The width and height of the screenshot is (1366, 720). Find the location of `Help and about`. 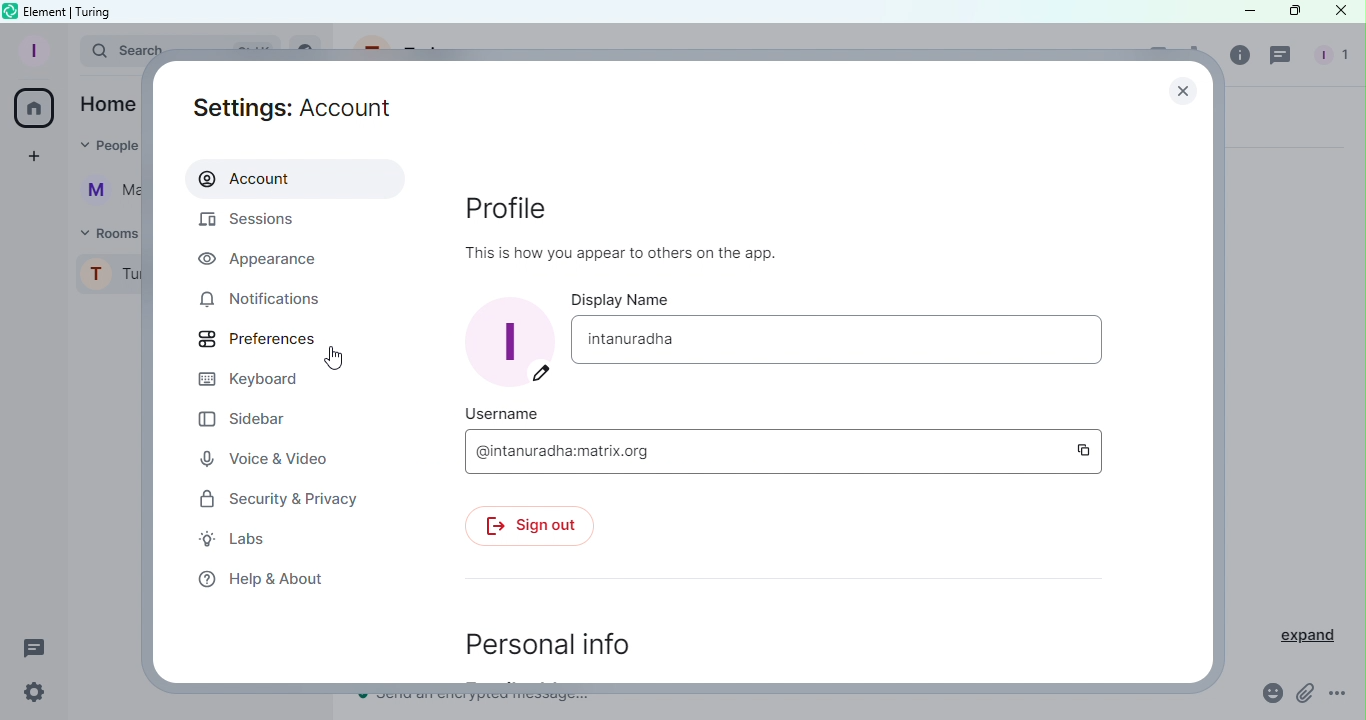

Help and about is located at coordinates (262, 580).